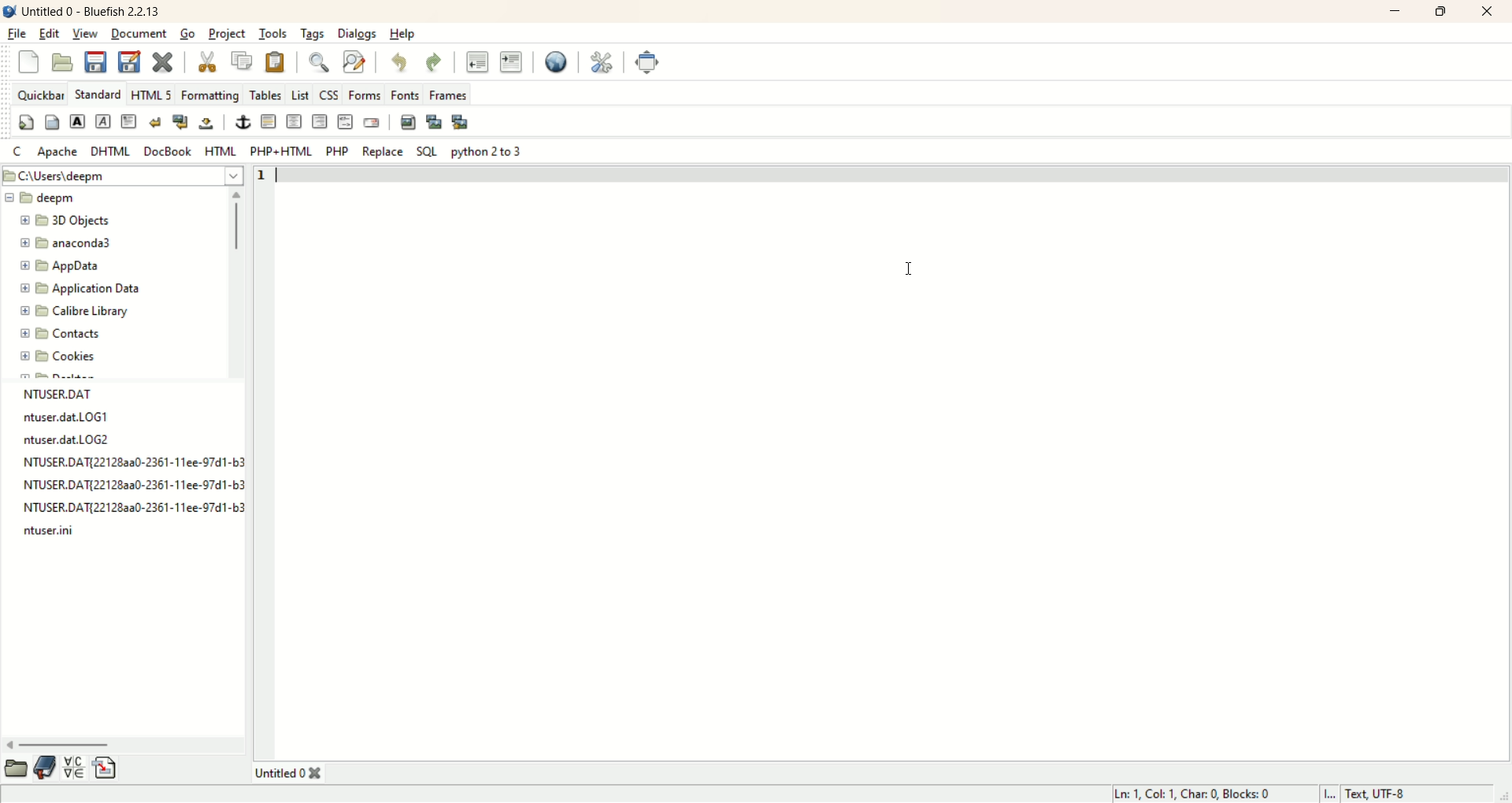  Describe the element at coordinates (46, 767) in the screenshot. I see `documentation` at that location.